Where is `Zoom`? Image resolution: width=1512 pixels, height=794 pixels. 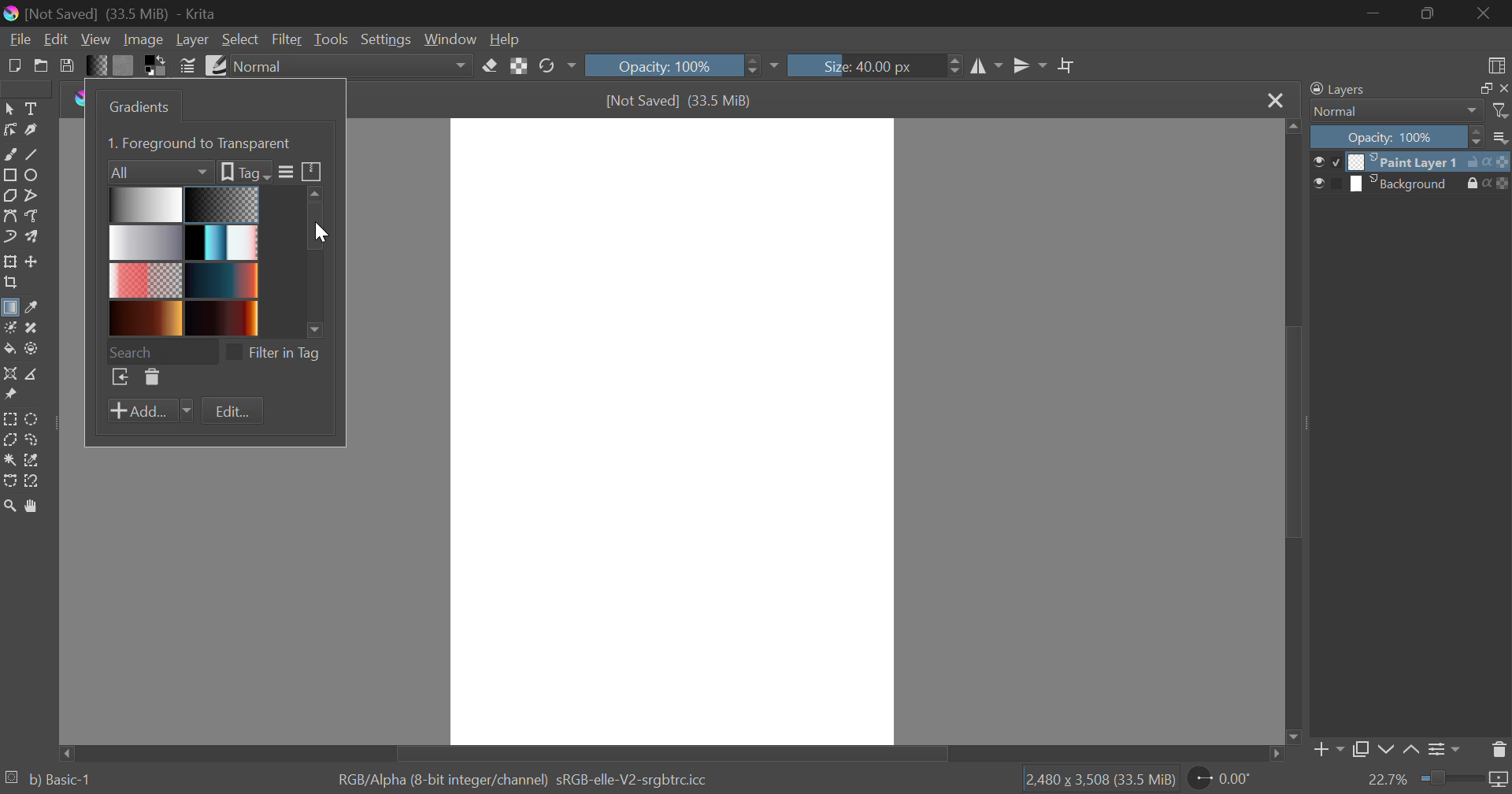
Zoom is located at coordinates (9, 506).